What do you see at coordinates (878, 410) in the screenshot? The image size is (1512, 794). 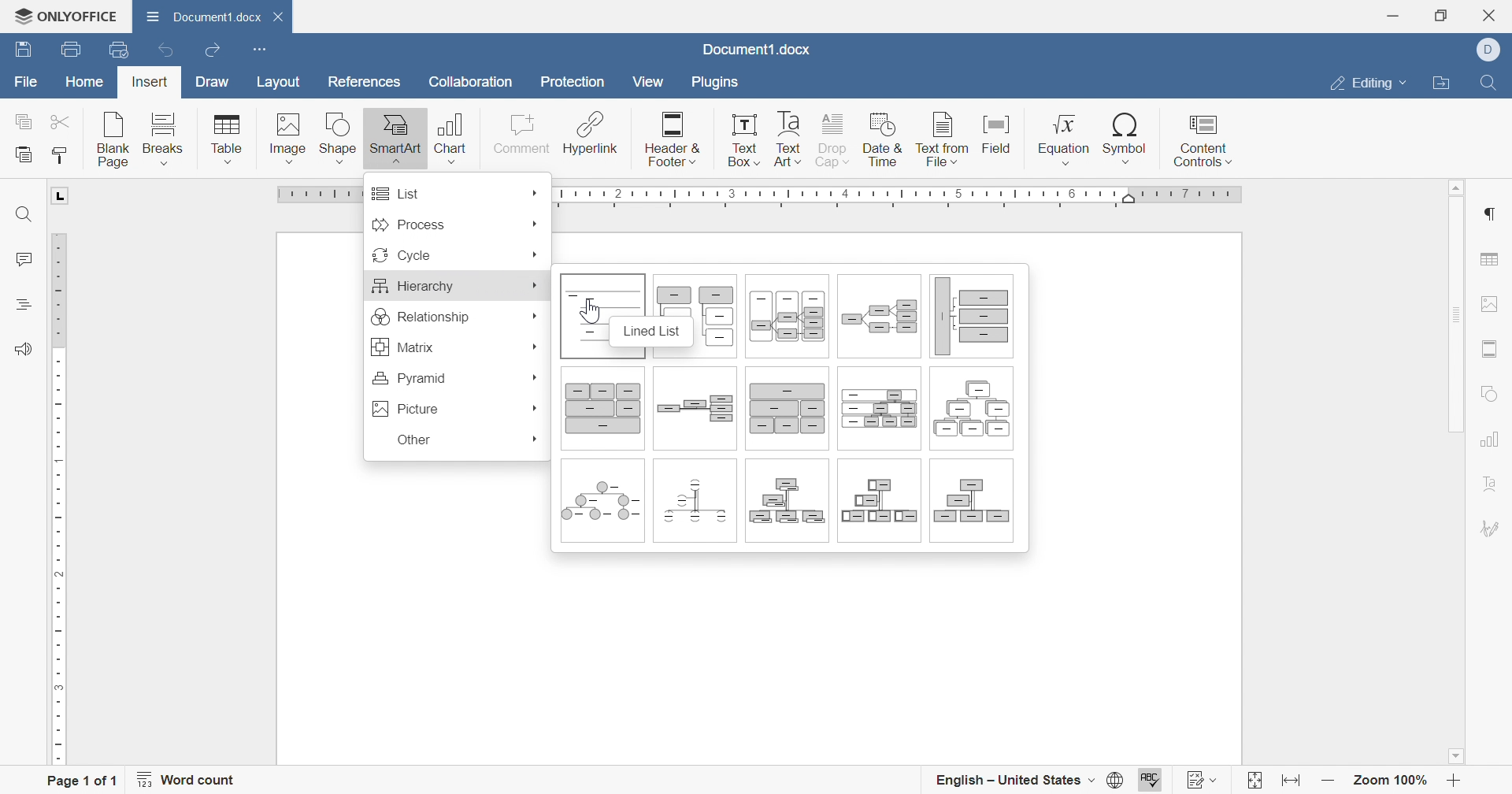 I see `Labeled hierarchy` at bounding box center [878, 410].